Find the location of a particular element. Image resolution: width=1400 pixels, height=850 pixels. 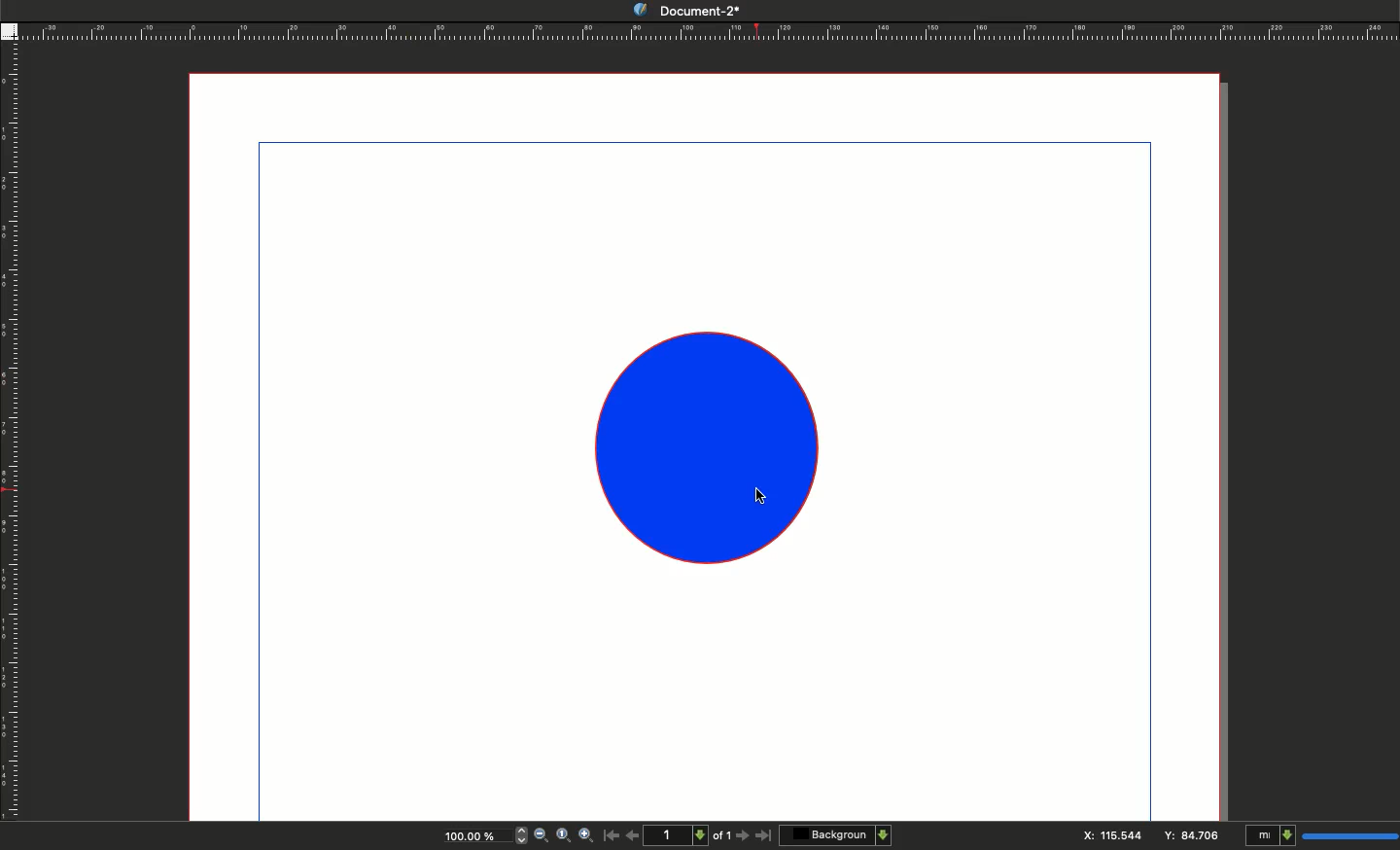

First page is located at coordinates (612, 834).